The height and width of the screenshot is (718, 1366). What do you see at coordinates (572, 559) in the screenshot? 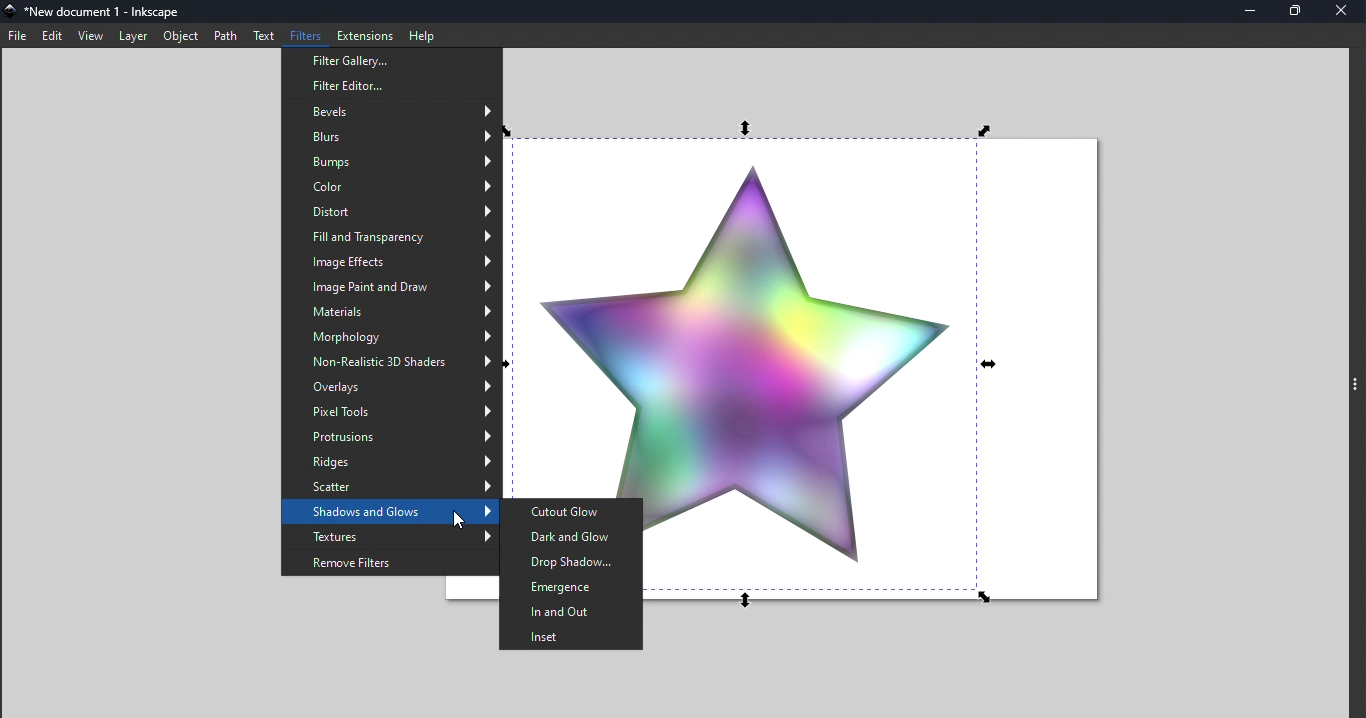
I see `Drop Shadow` at bounding box center [572, 559].